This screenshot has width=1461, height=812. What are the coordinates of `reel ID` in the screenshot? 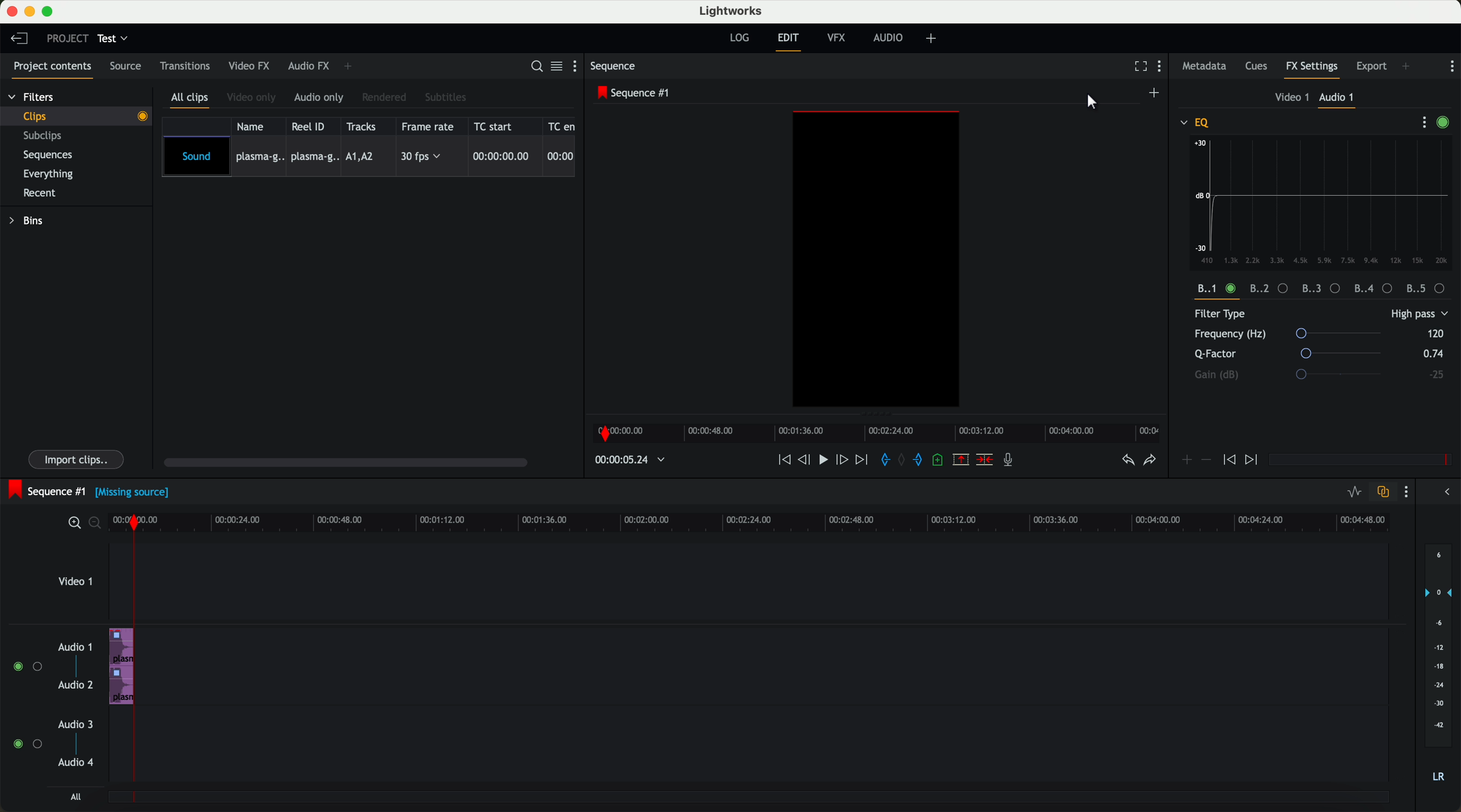 It's located at (311, 126).